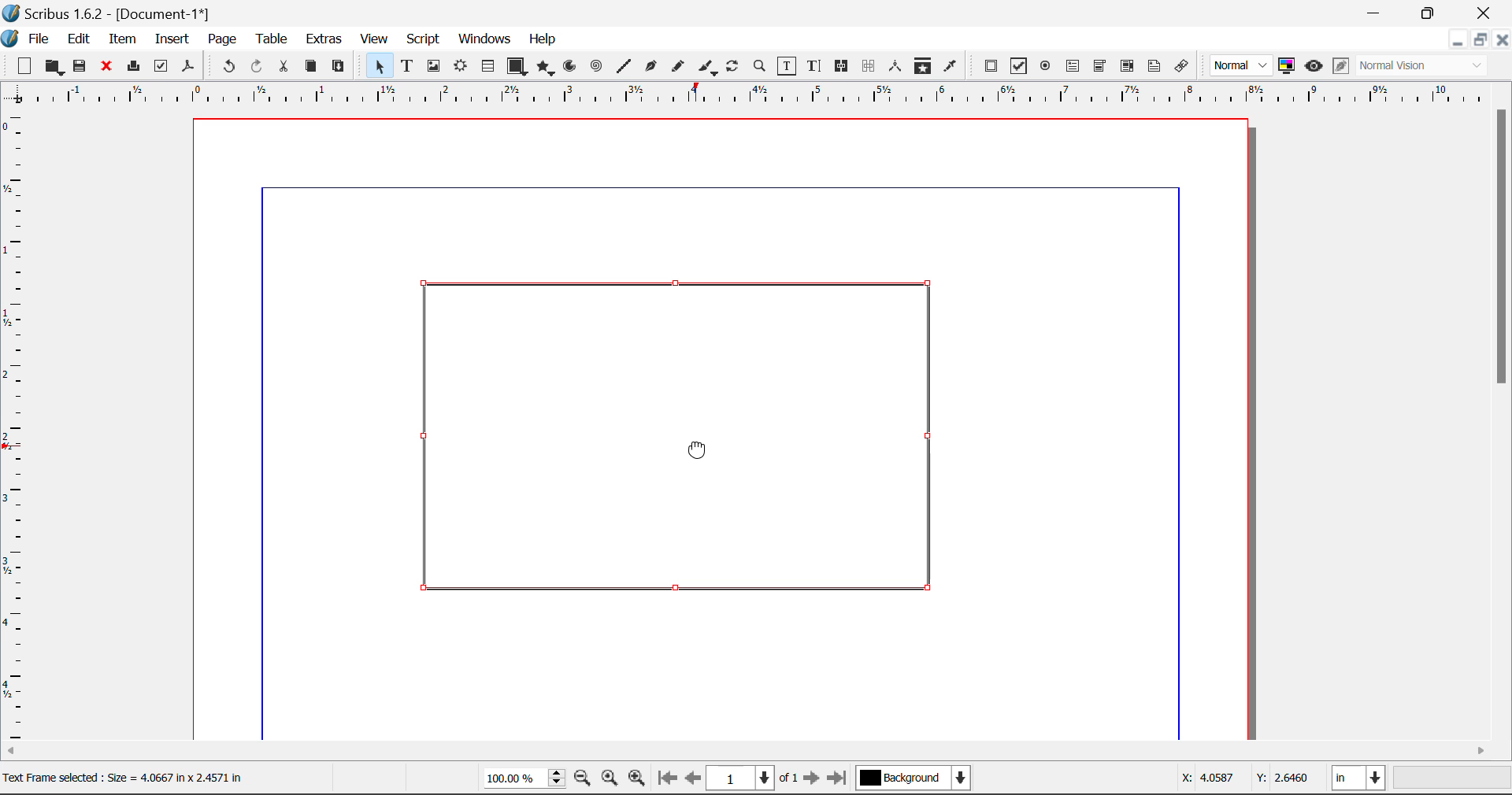 The height and width of the screenshot is (795, 1512). What do you see at coordinates (787, 65) in the screenshot?
I see `Edit Contents of Frame` at bounding box center [787, 65].